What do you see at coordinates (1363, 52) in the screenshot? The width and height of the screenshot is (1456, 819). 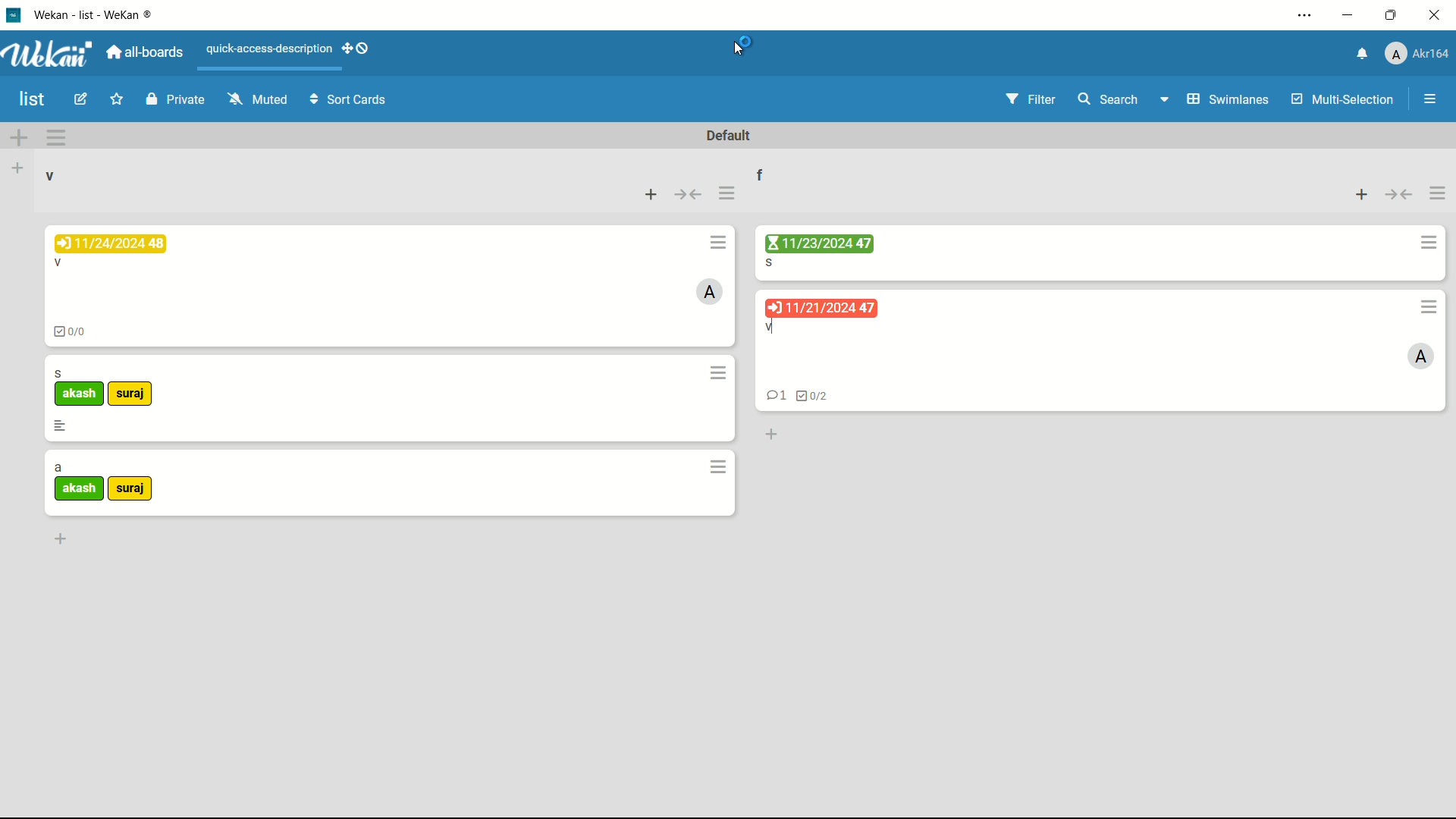 I see `notifications` at bounding box center [1363, 52].